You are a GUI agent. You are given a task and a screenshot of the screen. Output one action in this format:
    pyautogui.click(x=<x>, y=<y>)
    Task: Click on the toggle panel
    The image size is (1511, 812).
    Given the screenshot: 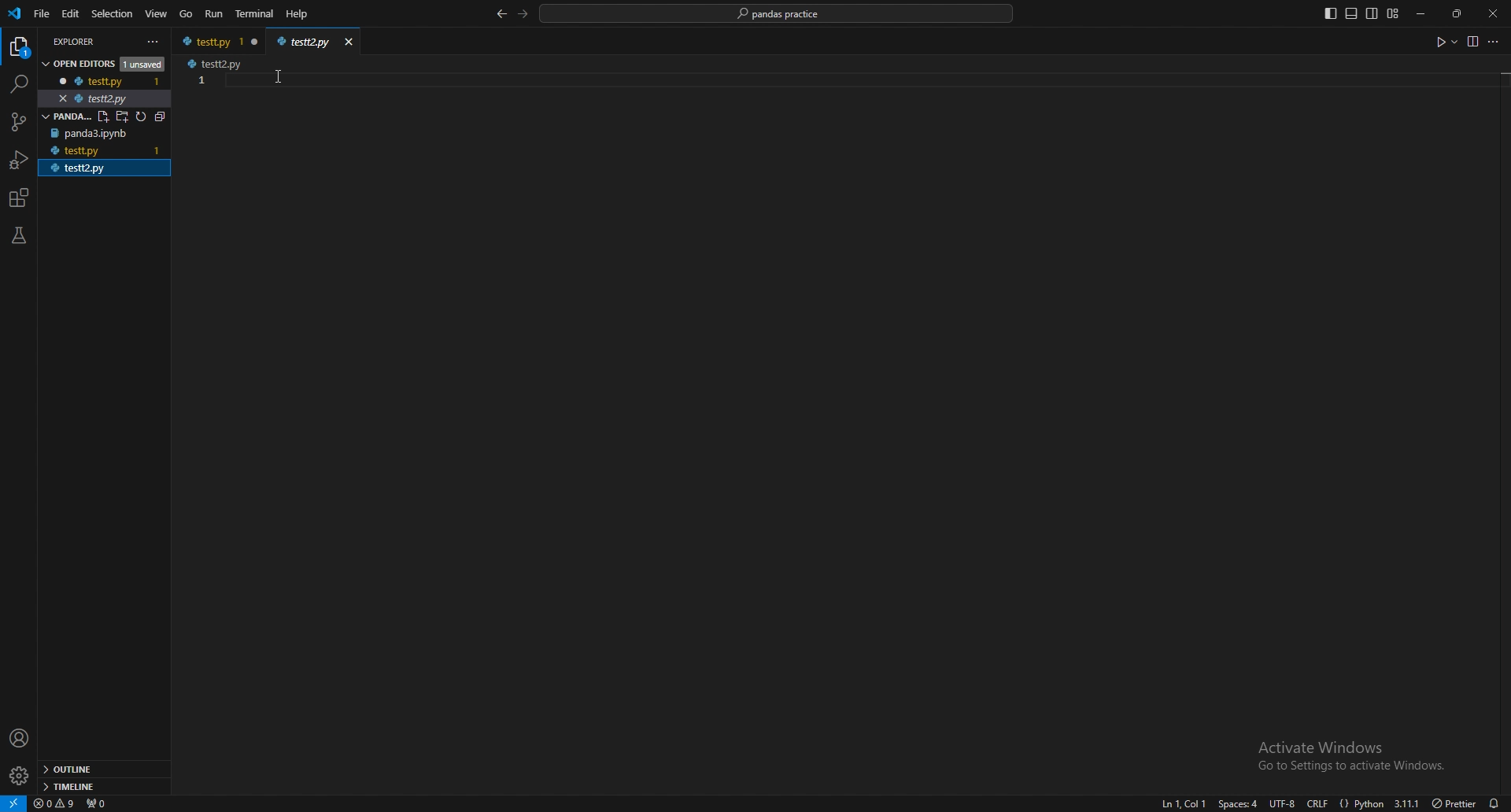 What is the action you would take?
    pyautogui.click(x=1351, y=14)
    